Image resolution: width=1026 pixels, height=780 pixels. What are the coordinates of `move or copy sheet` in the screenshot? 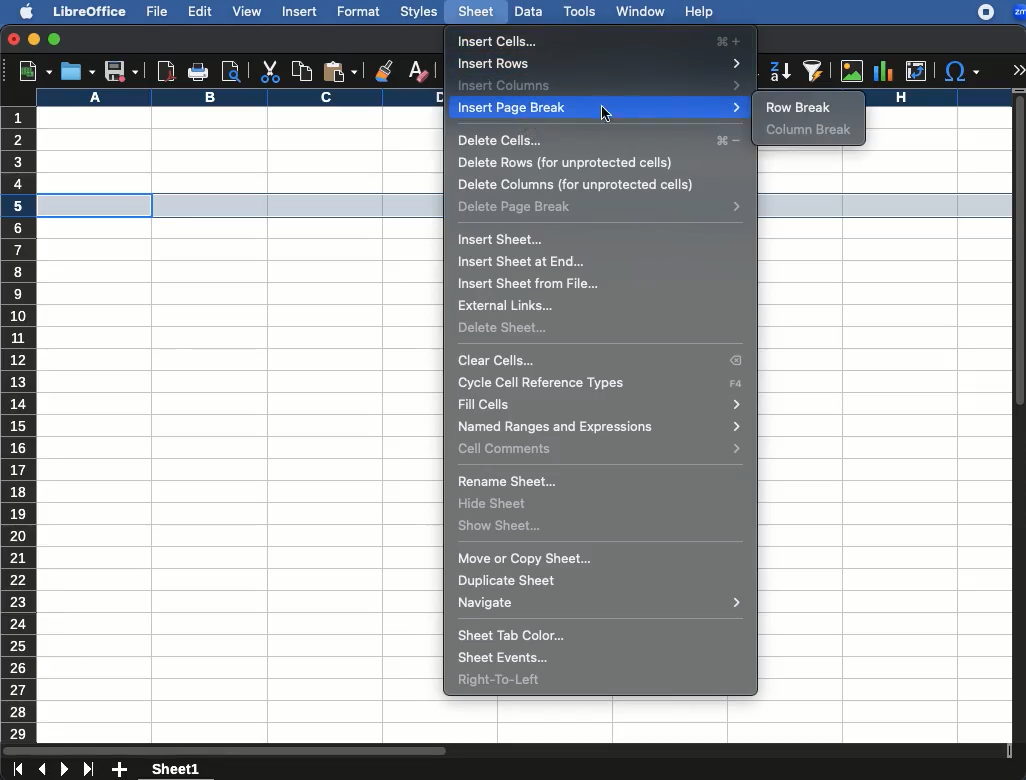 It's located at (523, 559).